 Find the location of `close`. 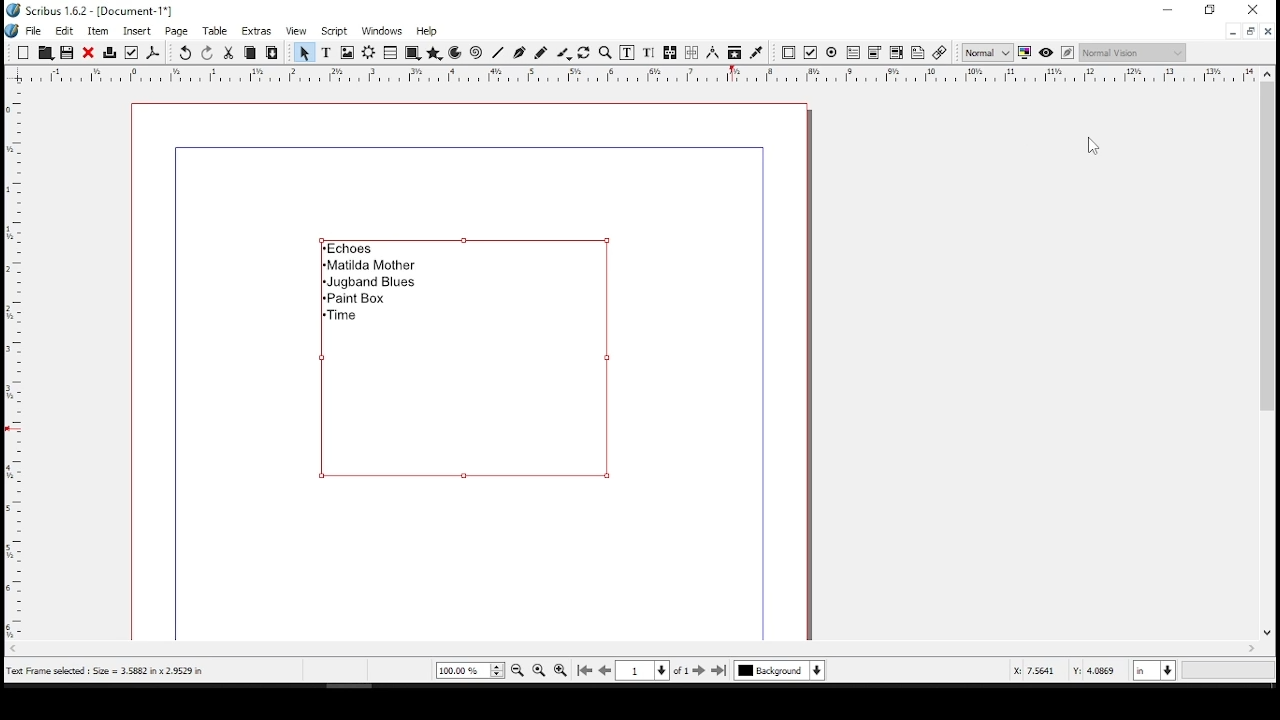

close is located at coordinates (88, 52).